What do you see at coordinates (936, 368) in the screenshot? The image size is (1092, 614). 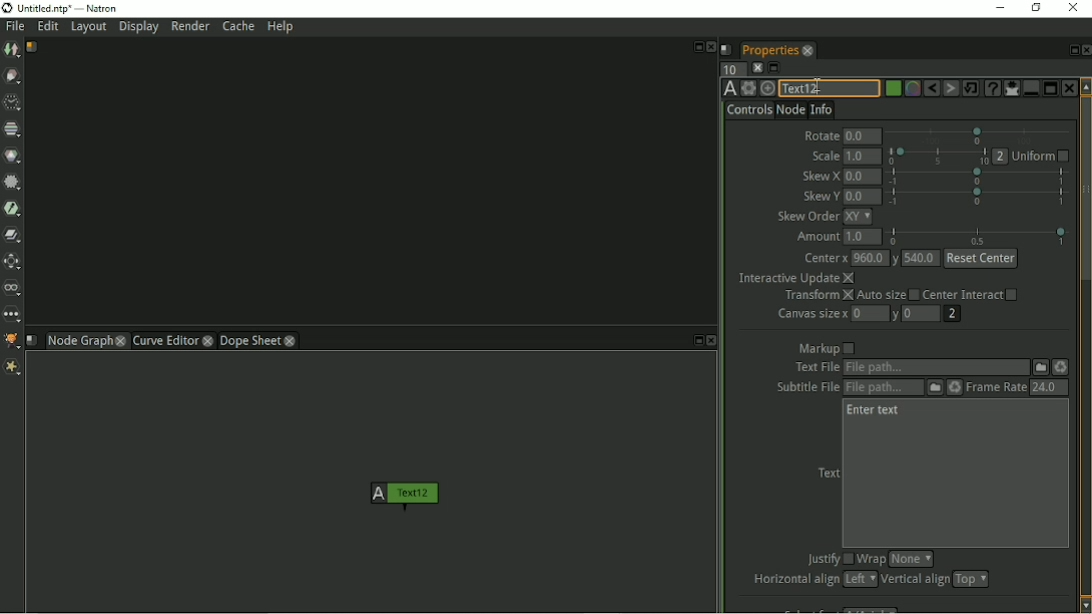 I see `file path` at bounding box center [936, 368].